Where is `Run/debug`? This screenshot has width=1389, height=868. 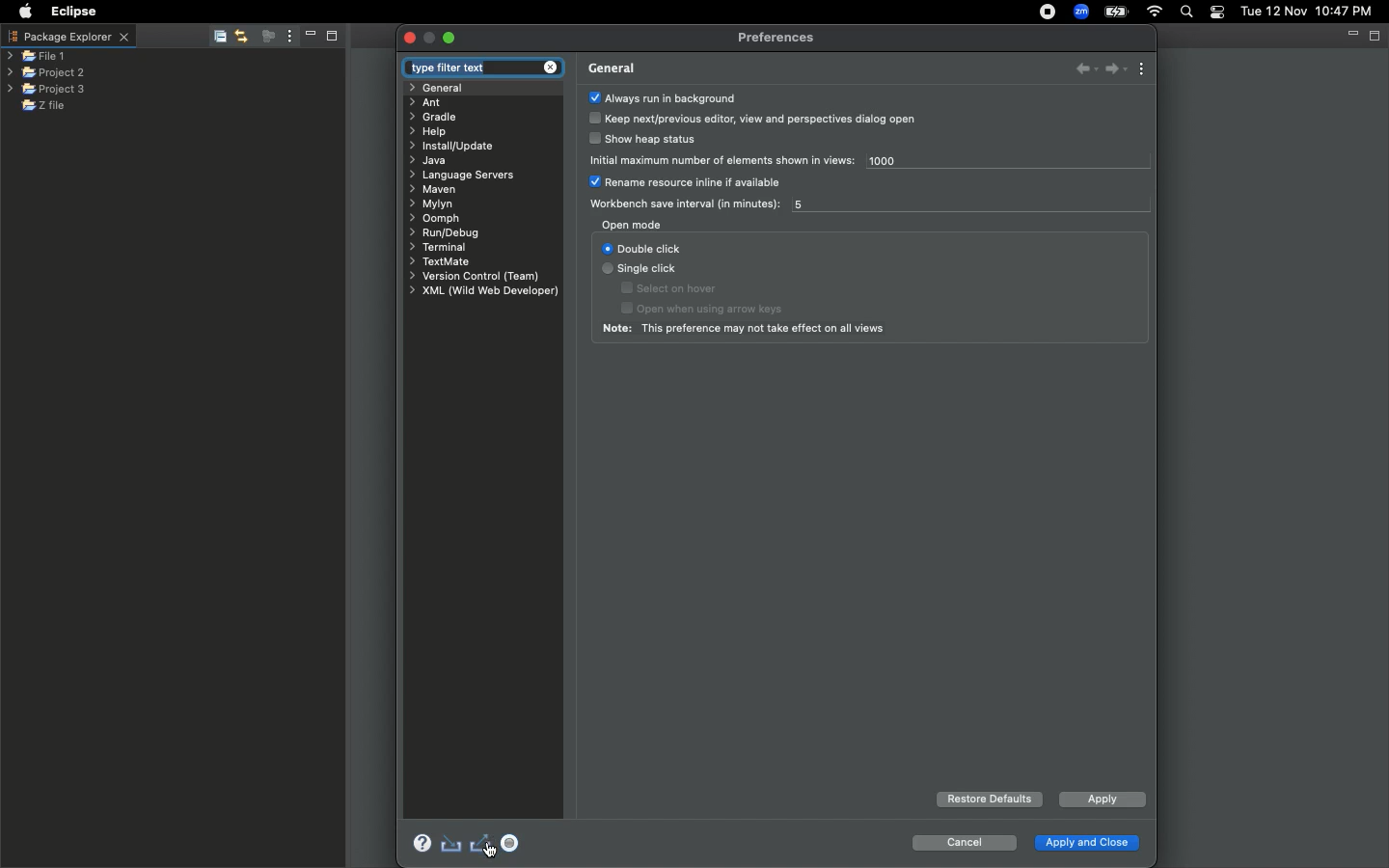 Run/debug is located at coordinates (450, 233).